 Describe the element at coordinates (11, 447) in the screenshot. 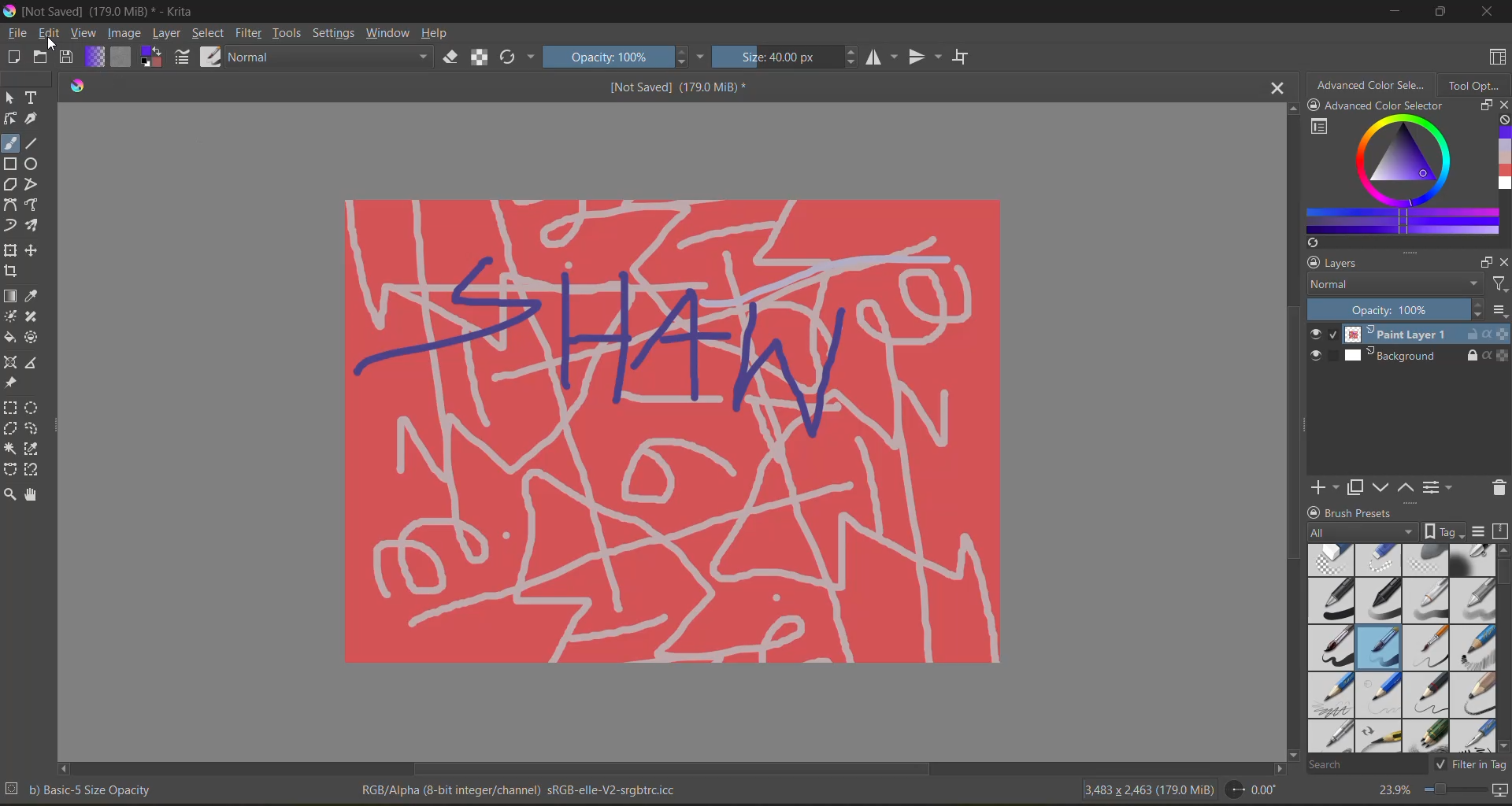

I see `contiguous selection tool` at that location.